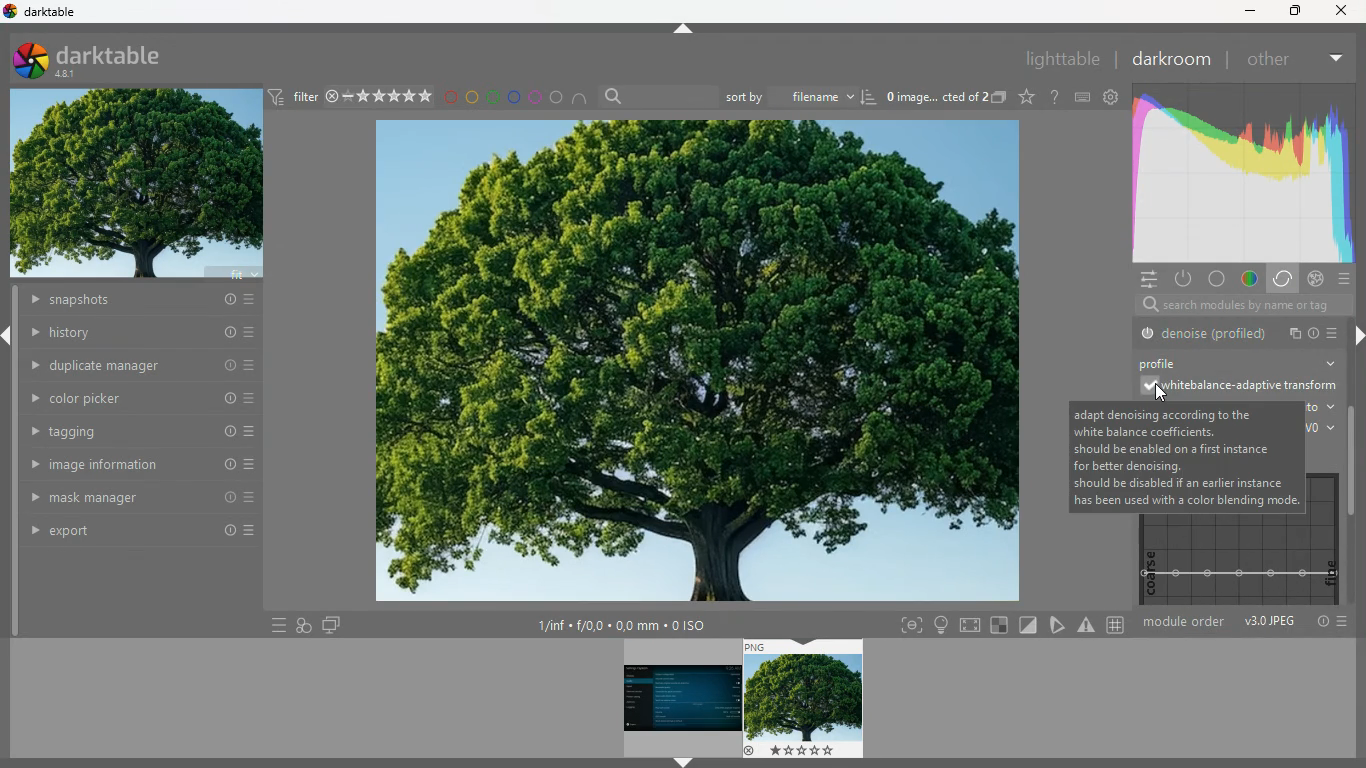  I want to click on rating, so click(381, 97).